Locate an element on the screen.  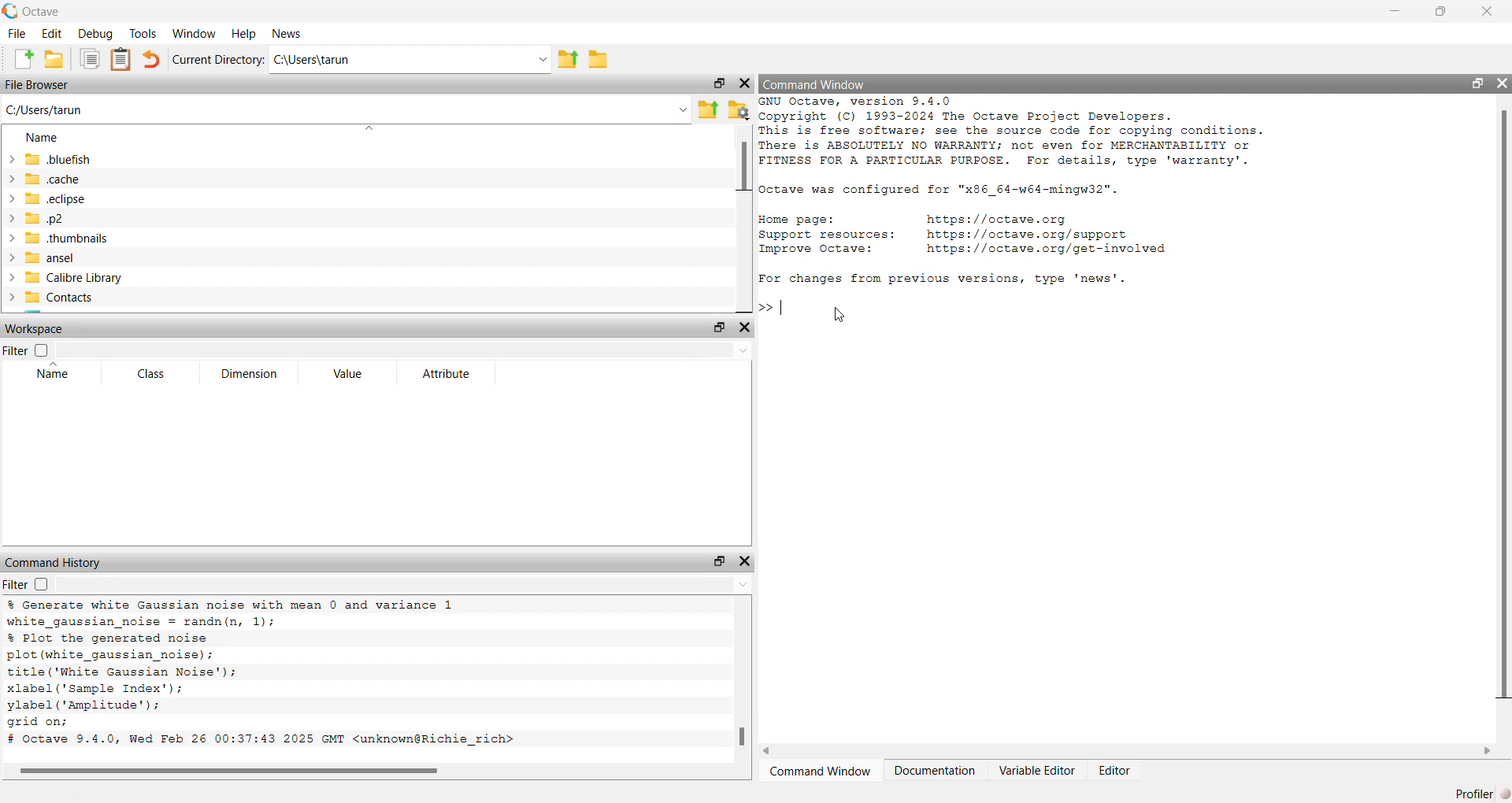
dropdown is located at coordinates (407, 350).